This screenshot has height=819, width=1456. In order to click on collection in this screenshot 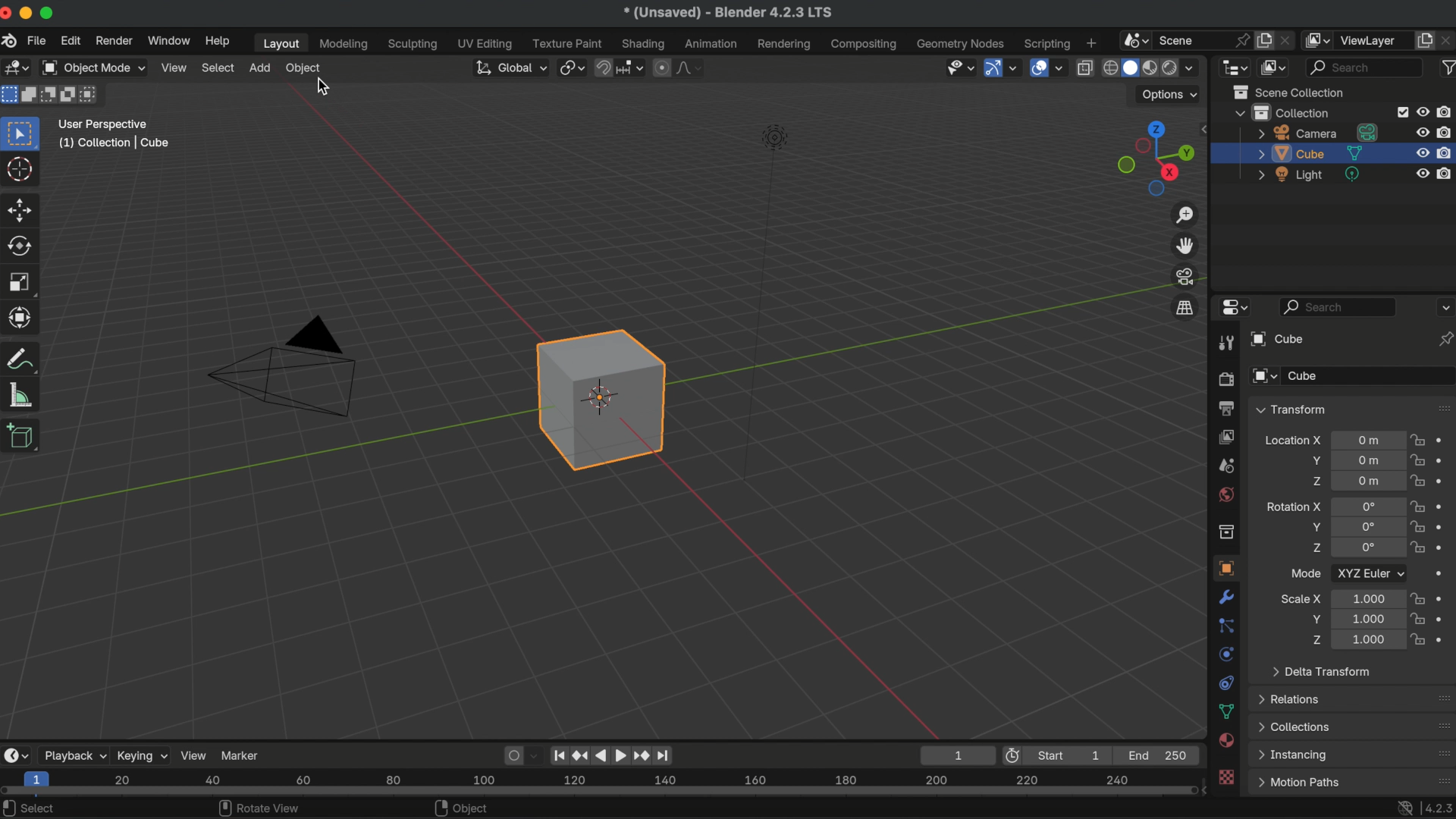, I will do `click(1225, 532)`.